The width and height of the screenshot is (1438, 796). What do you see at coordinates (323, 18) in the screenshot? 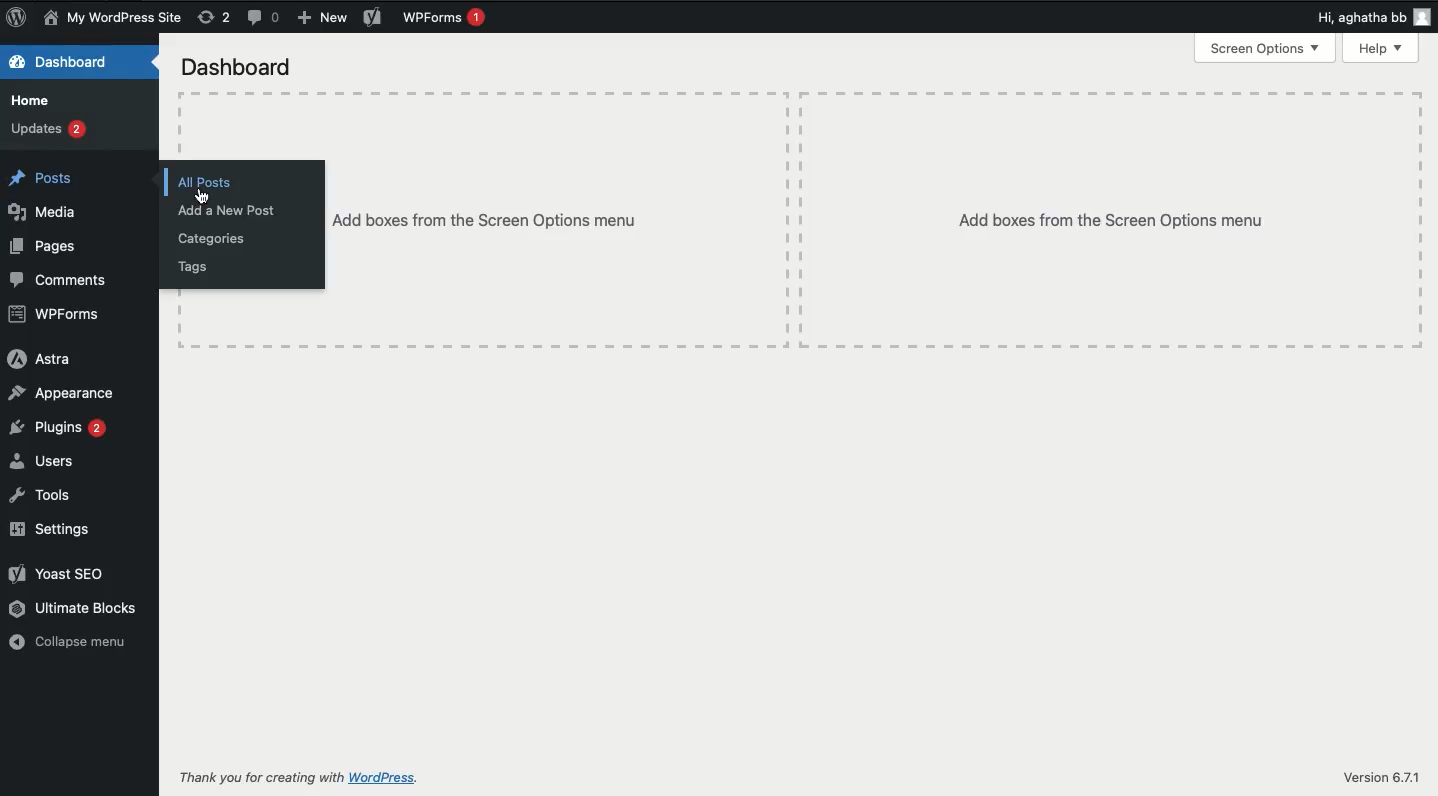
I see `New` at bounding box center [323, 18].